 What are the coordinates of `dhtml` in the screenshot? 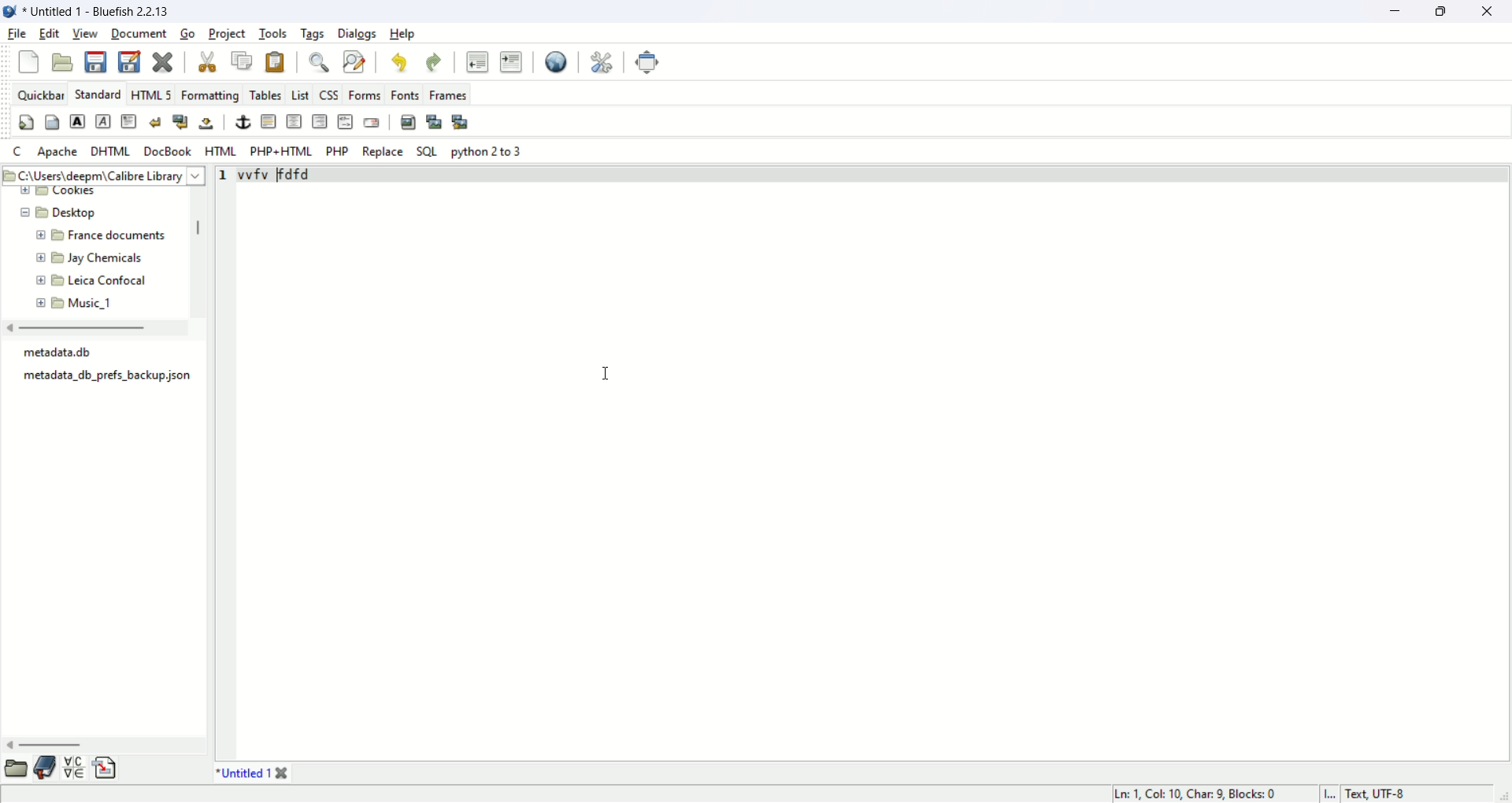 It's located at (109, 152).